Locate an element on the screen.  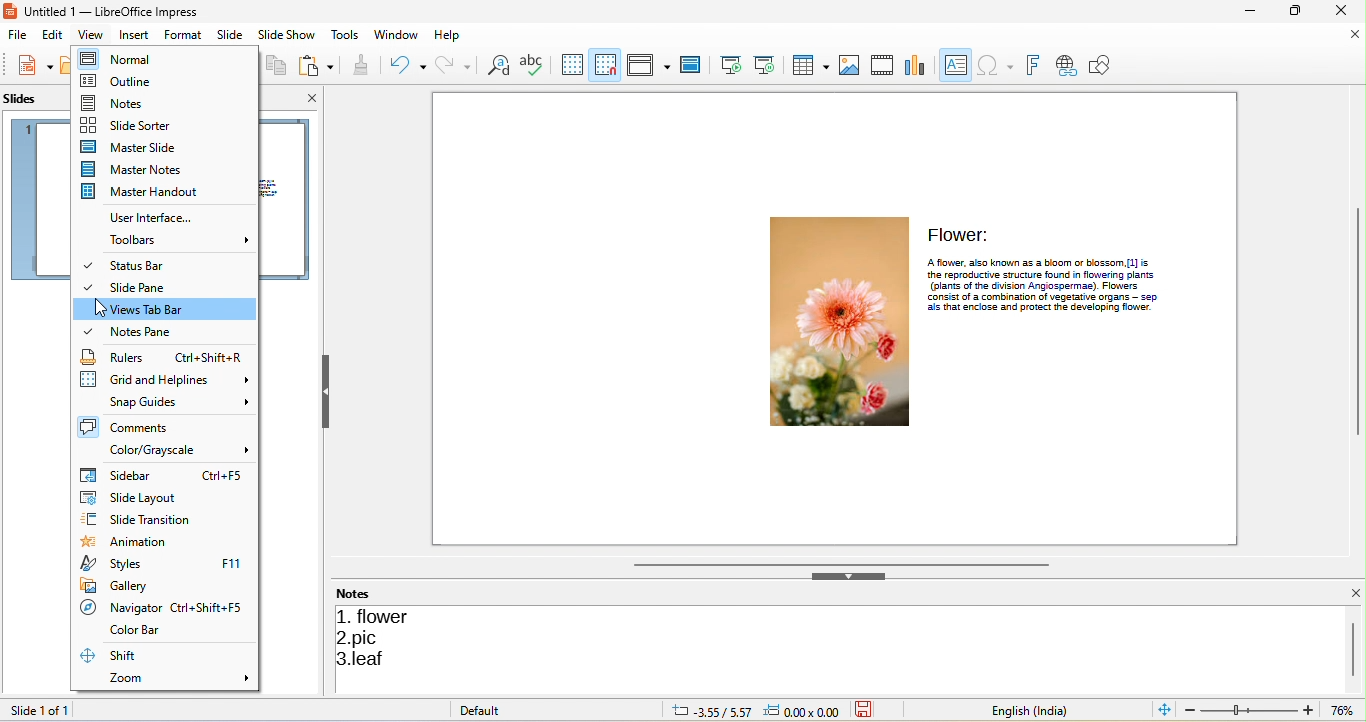
outline is located at coordinates (141, 83).